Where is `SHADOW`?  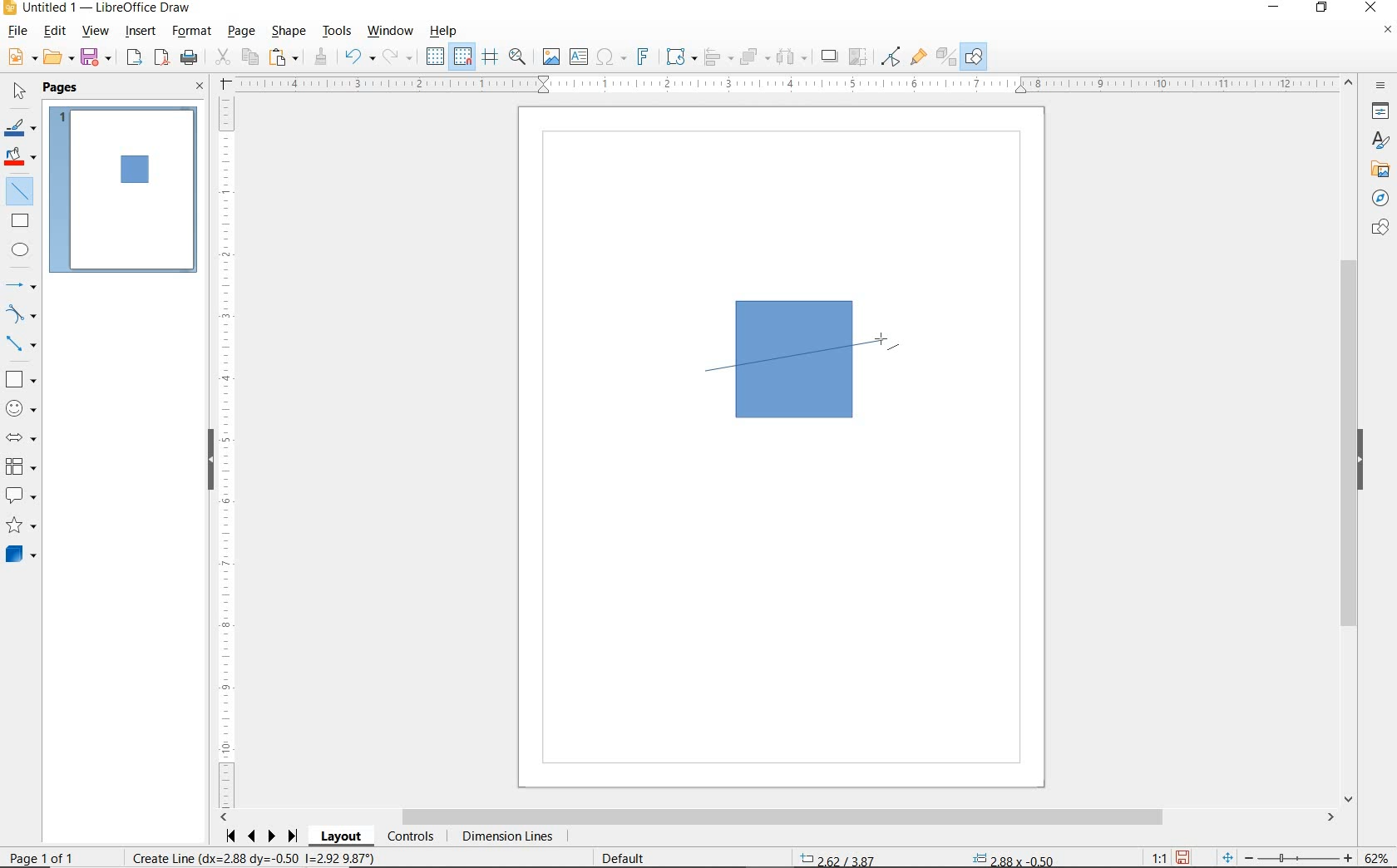 SHADOW is located at coordinates (830, 57).